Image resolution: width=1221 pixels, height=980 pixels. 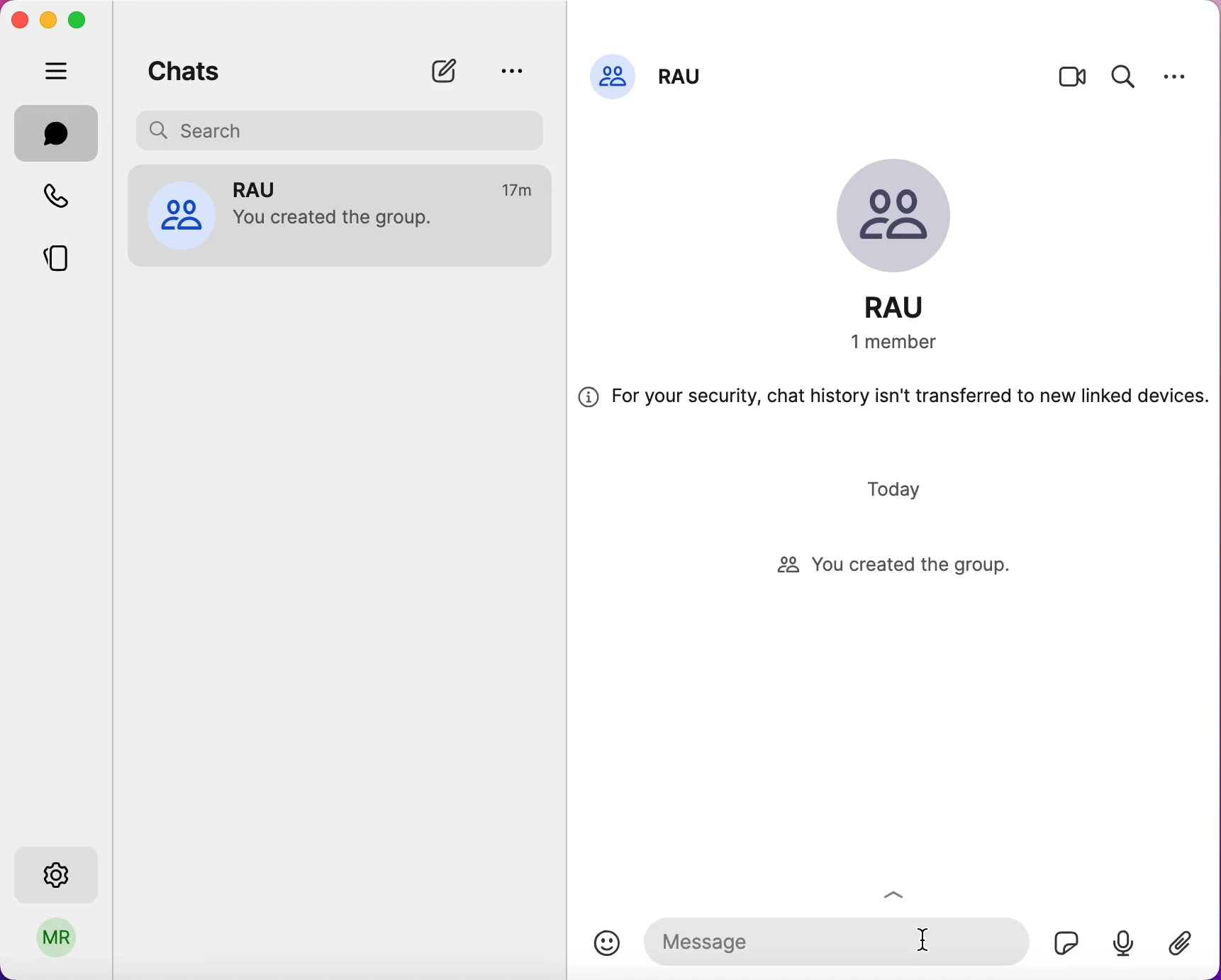 I want to click on attach, so click(x=1187, y=945).